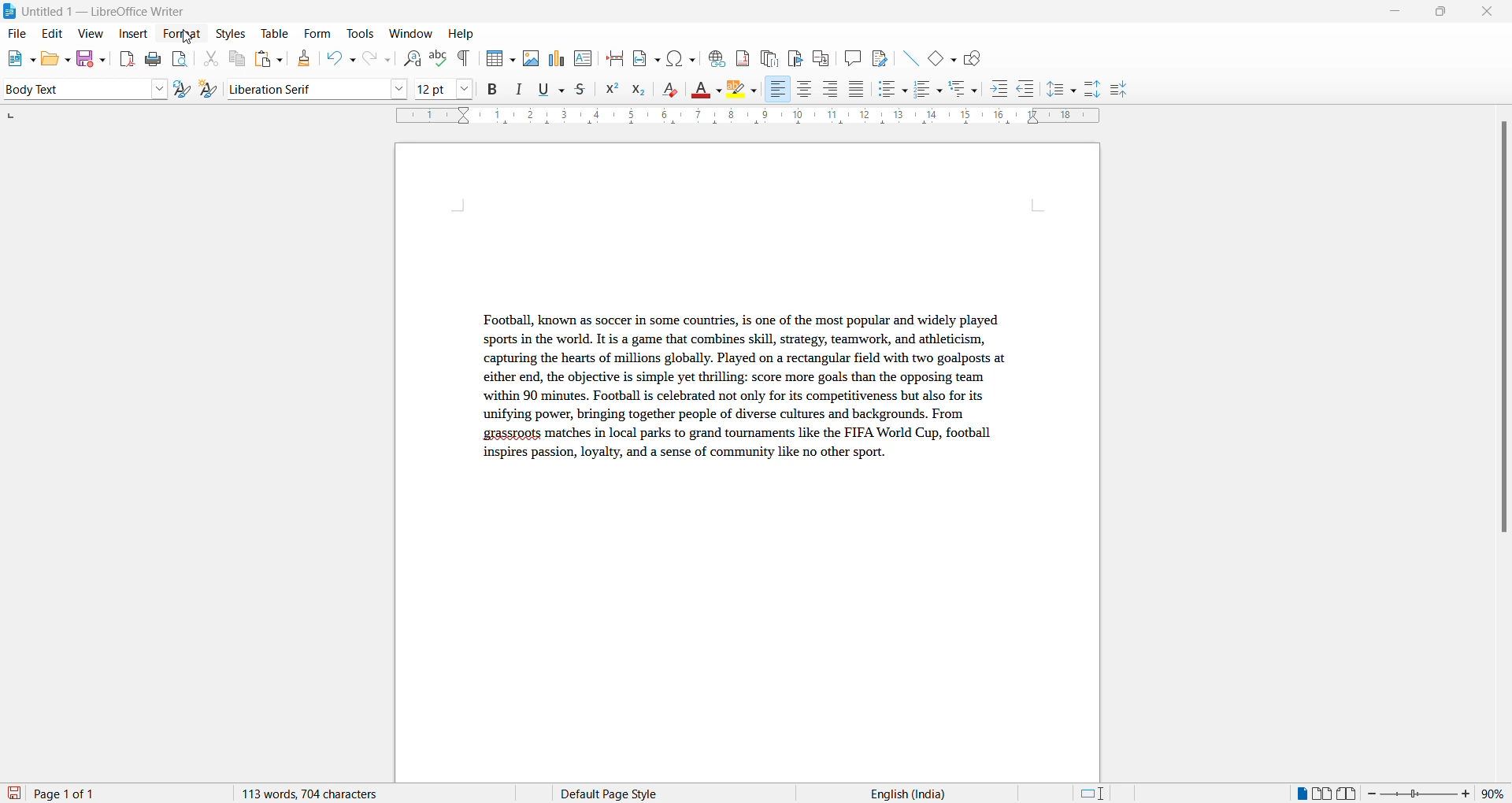 This screenshot has height=803, width=1512. What do you see at coordinates (128, 57) in the screenshot?
I see `export as pdf` at bounding box center [128, 57].